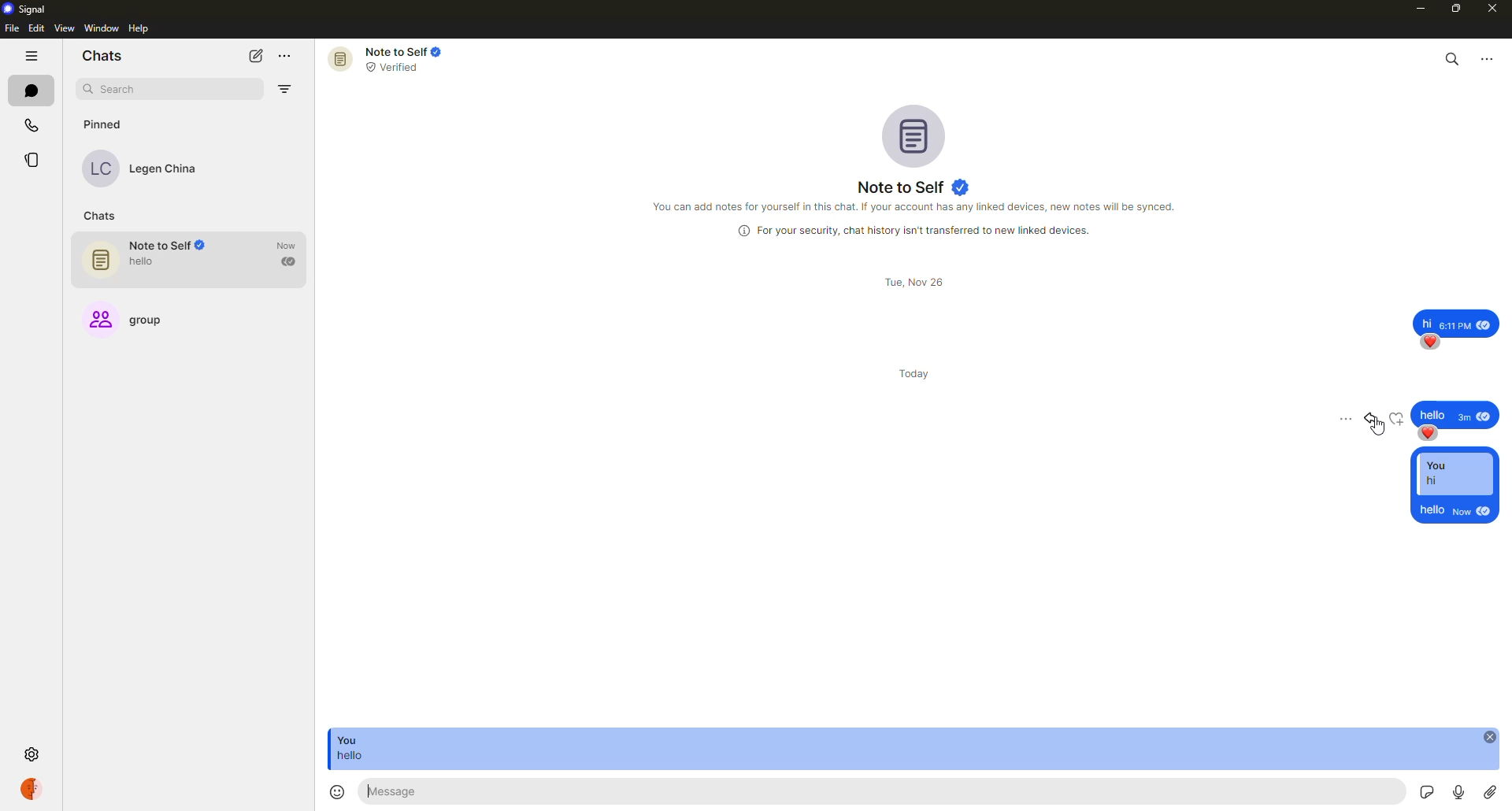  What do you see at coordinates (912, 131) in the screenshot?
I see `profile pic` at bounding box center [912, 131].